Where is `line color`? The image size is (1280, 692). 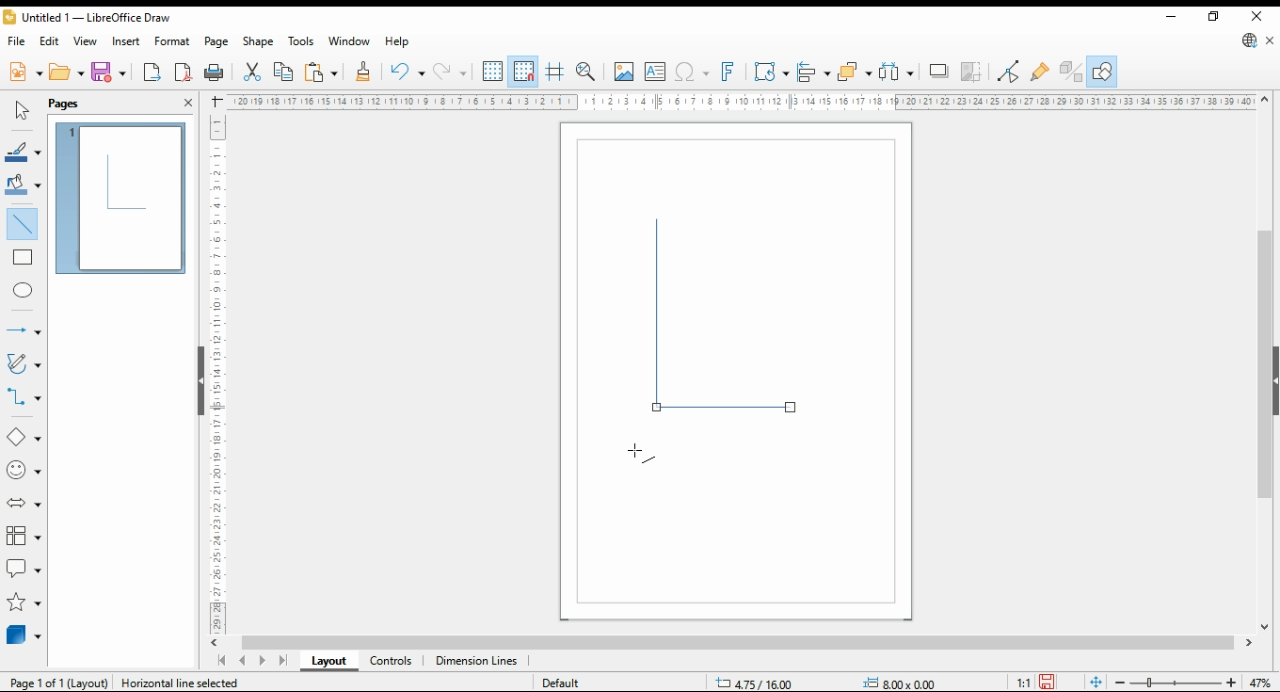 line color is located at coordinates (22, 153).